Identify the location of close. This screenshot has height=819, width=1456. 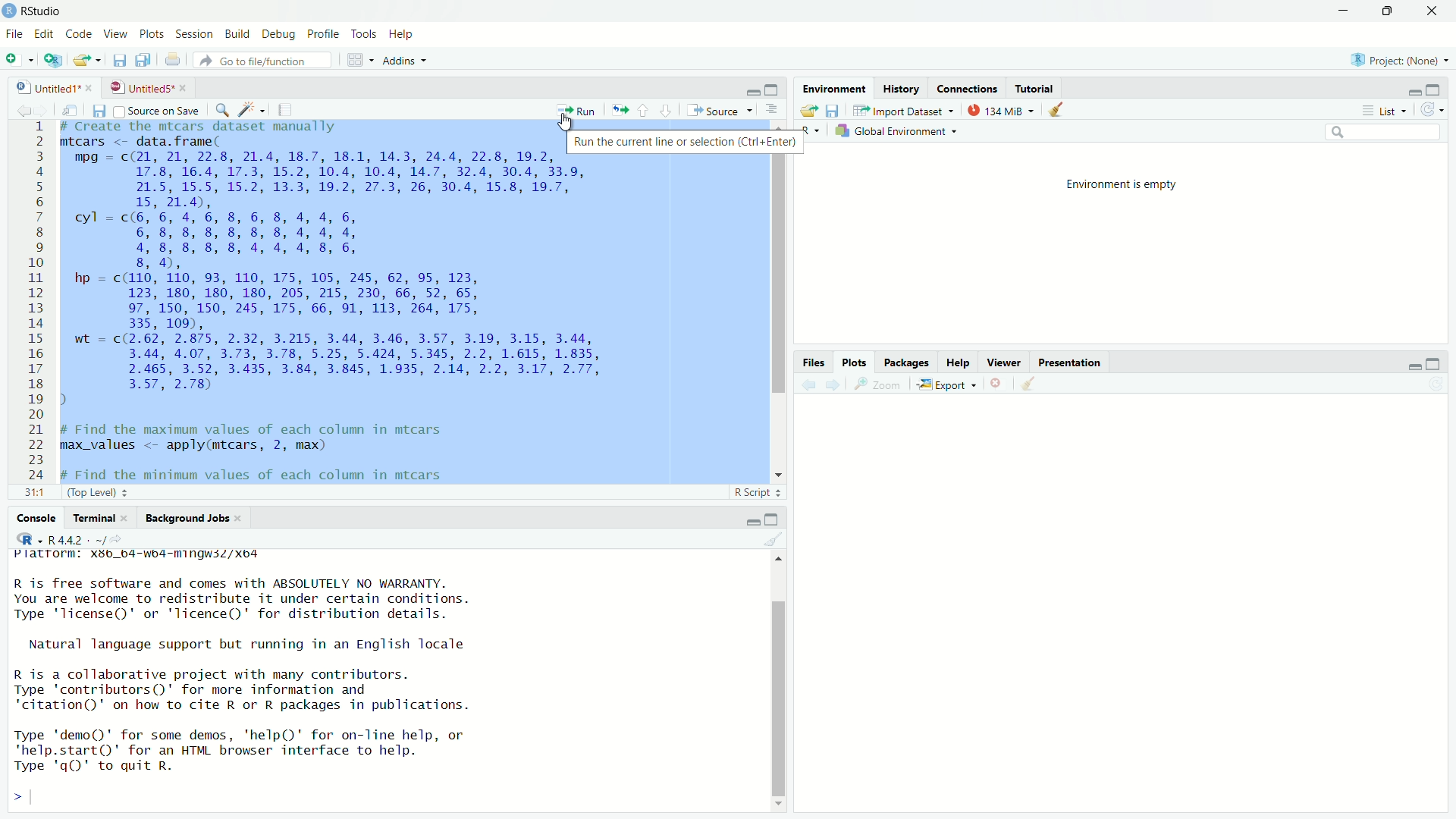
(1436, 11).